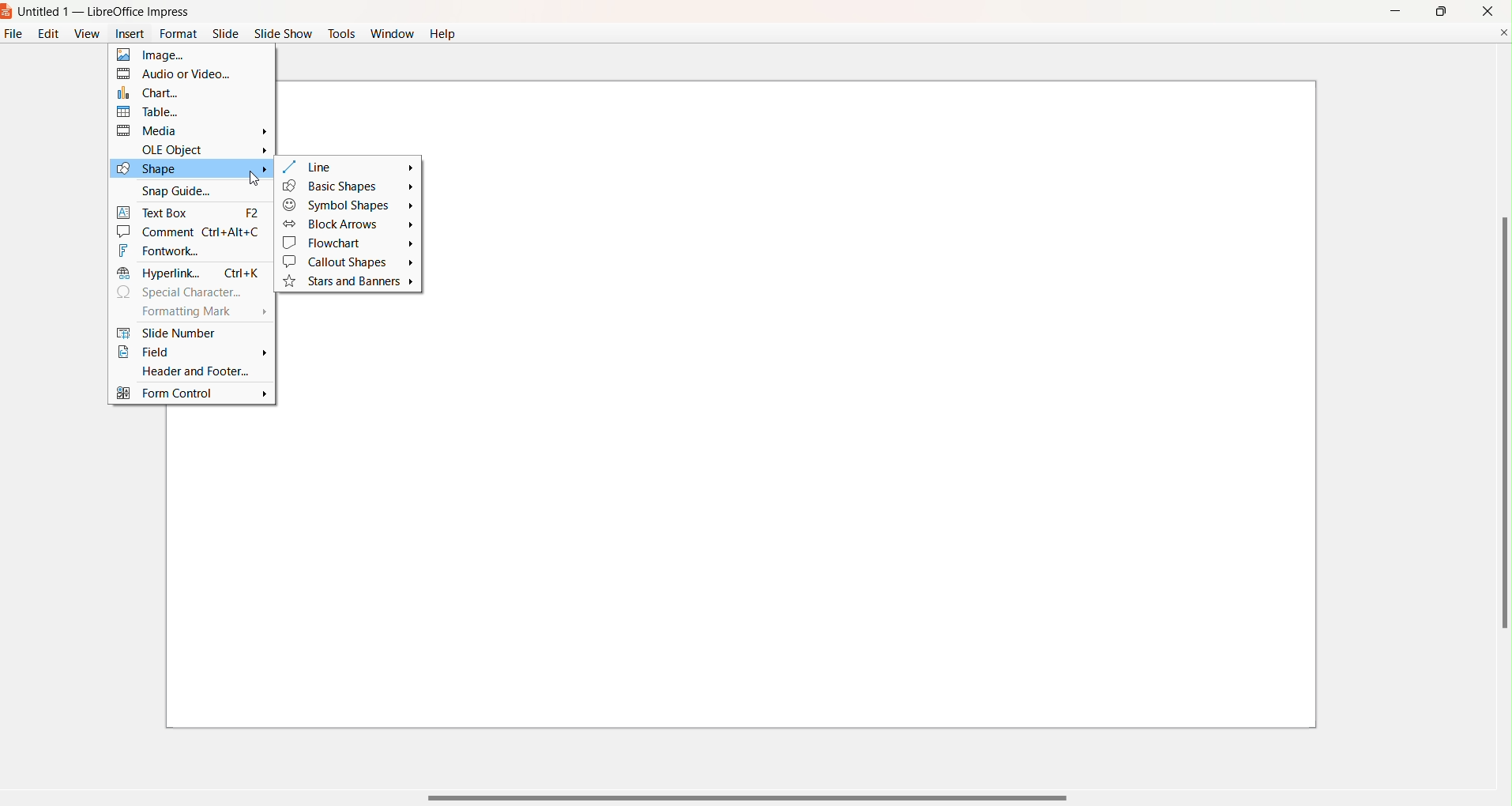  Describe the element at coordinates (1394, 9) in the screenshot. I see `Minimize` at that location.